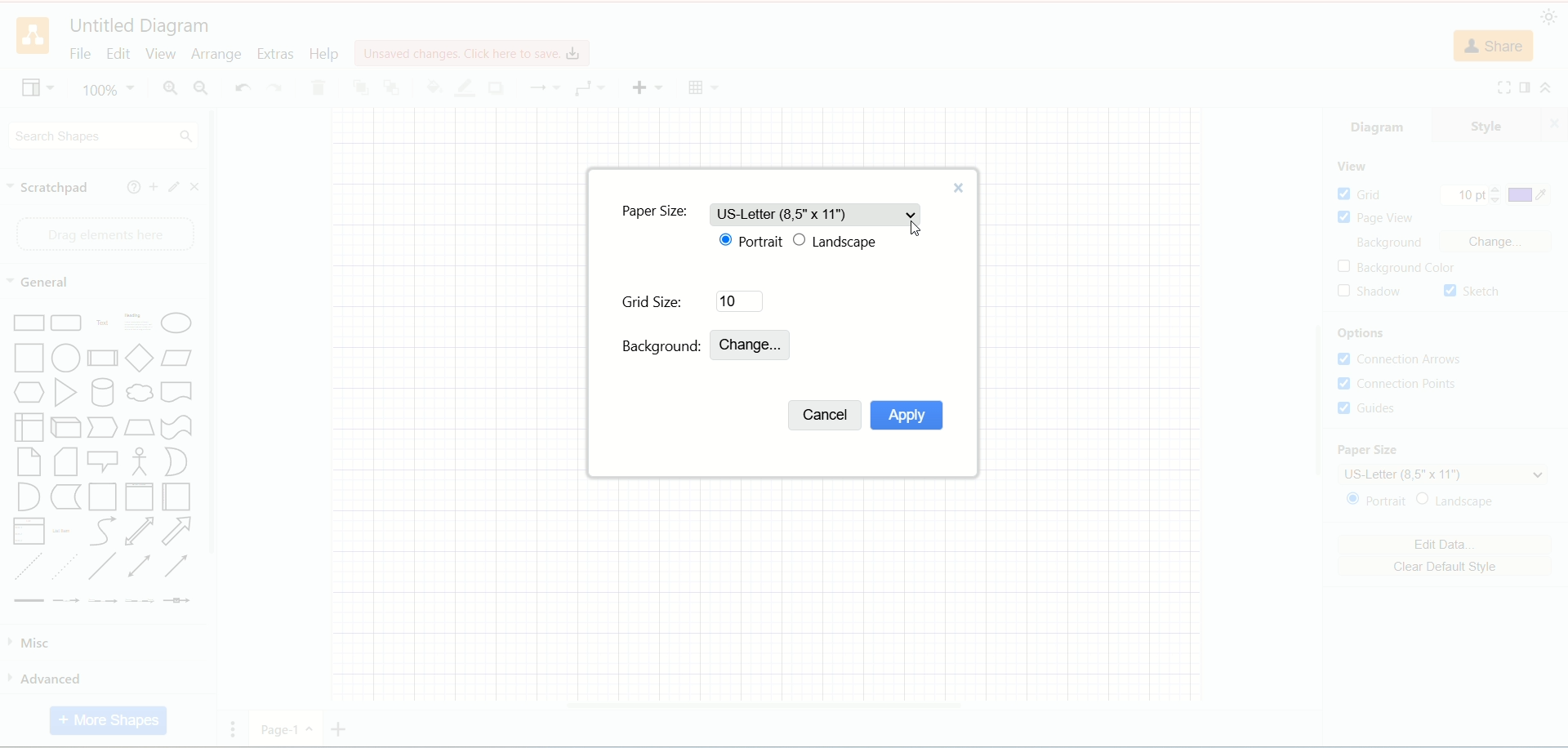 The height and width of the screenshot is (748, 1568). What do you see at coordinates (817, 214) in the screenshot?
I see `US-letter` at bounding box center [817, 214].